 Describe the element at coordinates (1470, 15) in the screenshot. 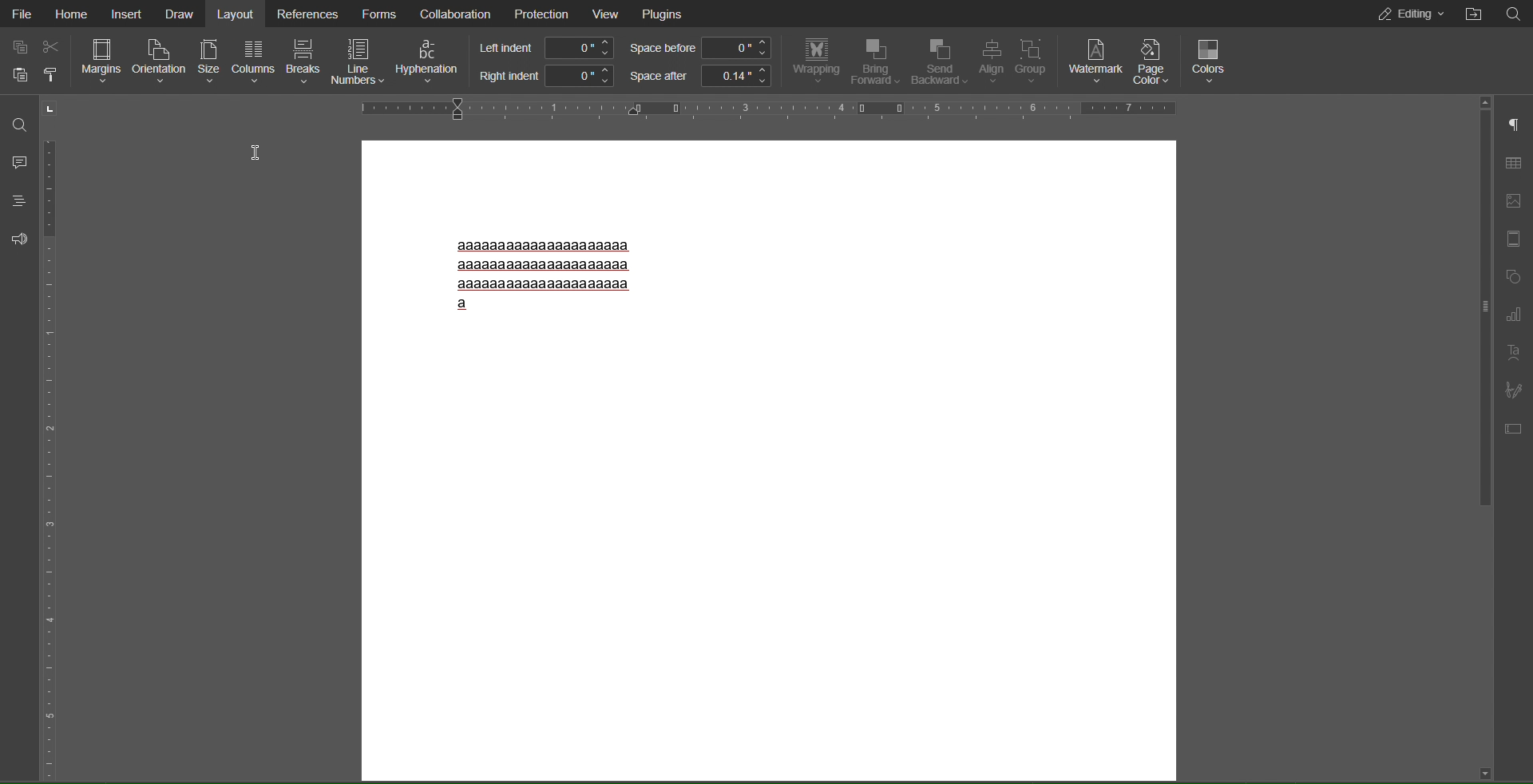

I see `Open File Location` at that location.